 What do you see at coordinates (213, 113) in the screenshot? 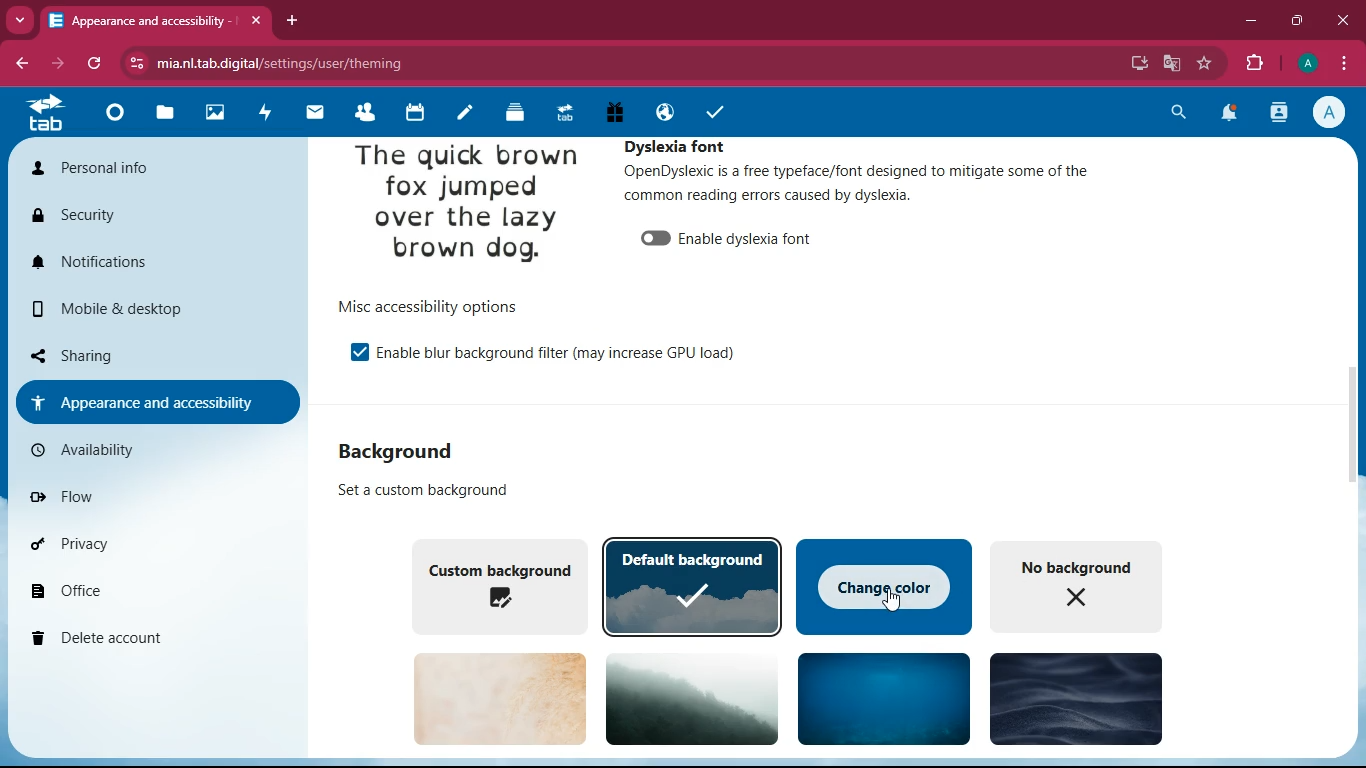
I see `images` at bounding box center [213, 113].